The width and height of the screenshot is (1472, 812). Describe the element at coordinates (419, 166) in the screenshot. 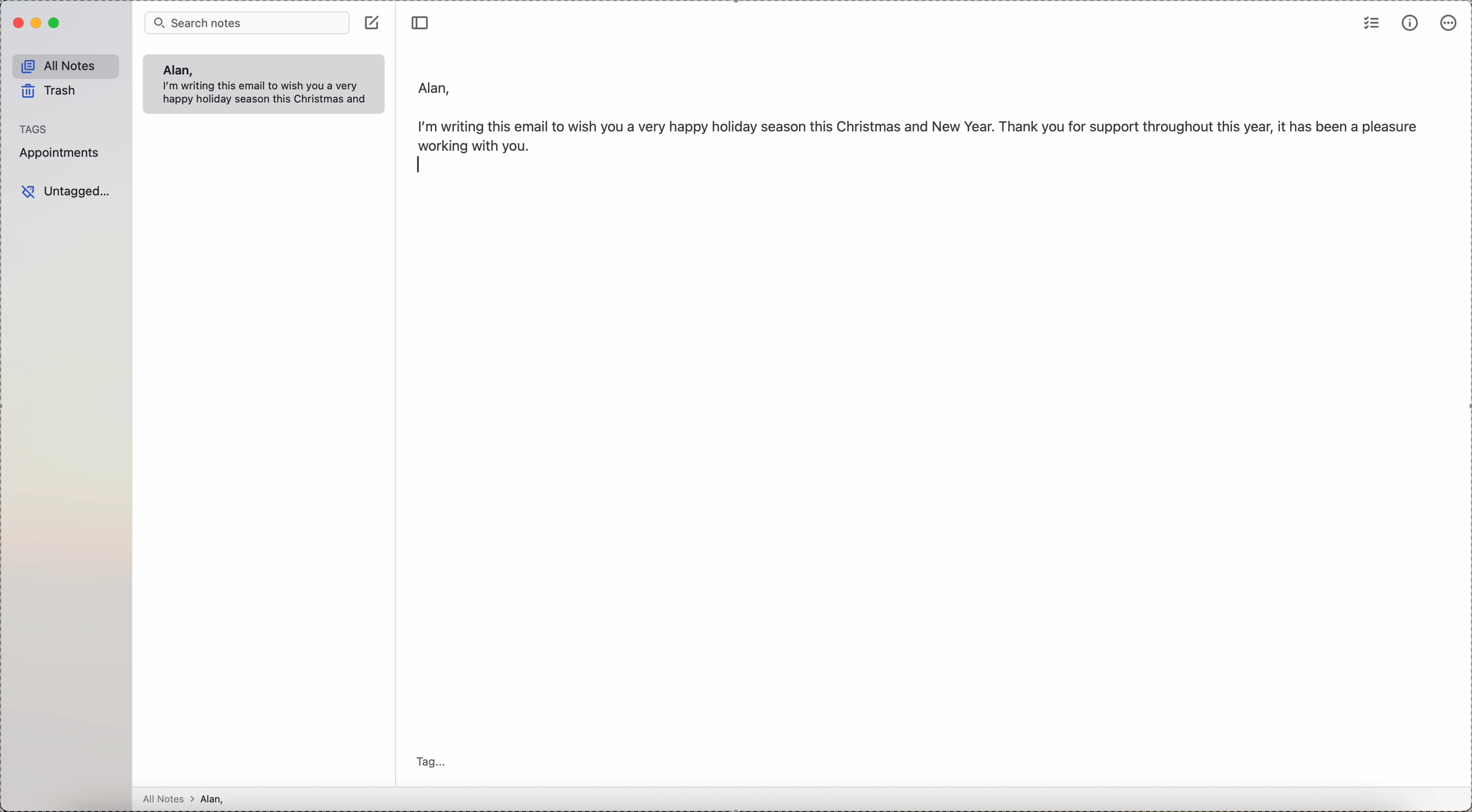

I see `enter/ writing bar` at that location.